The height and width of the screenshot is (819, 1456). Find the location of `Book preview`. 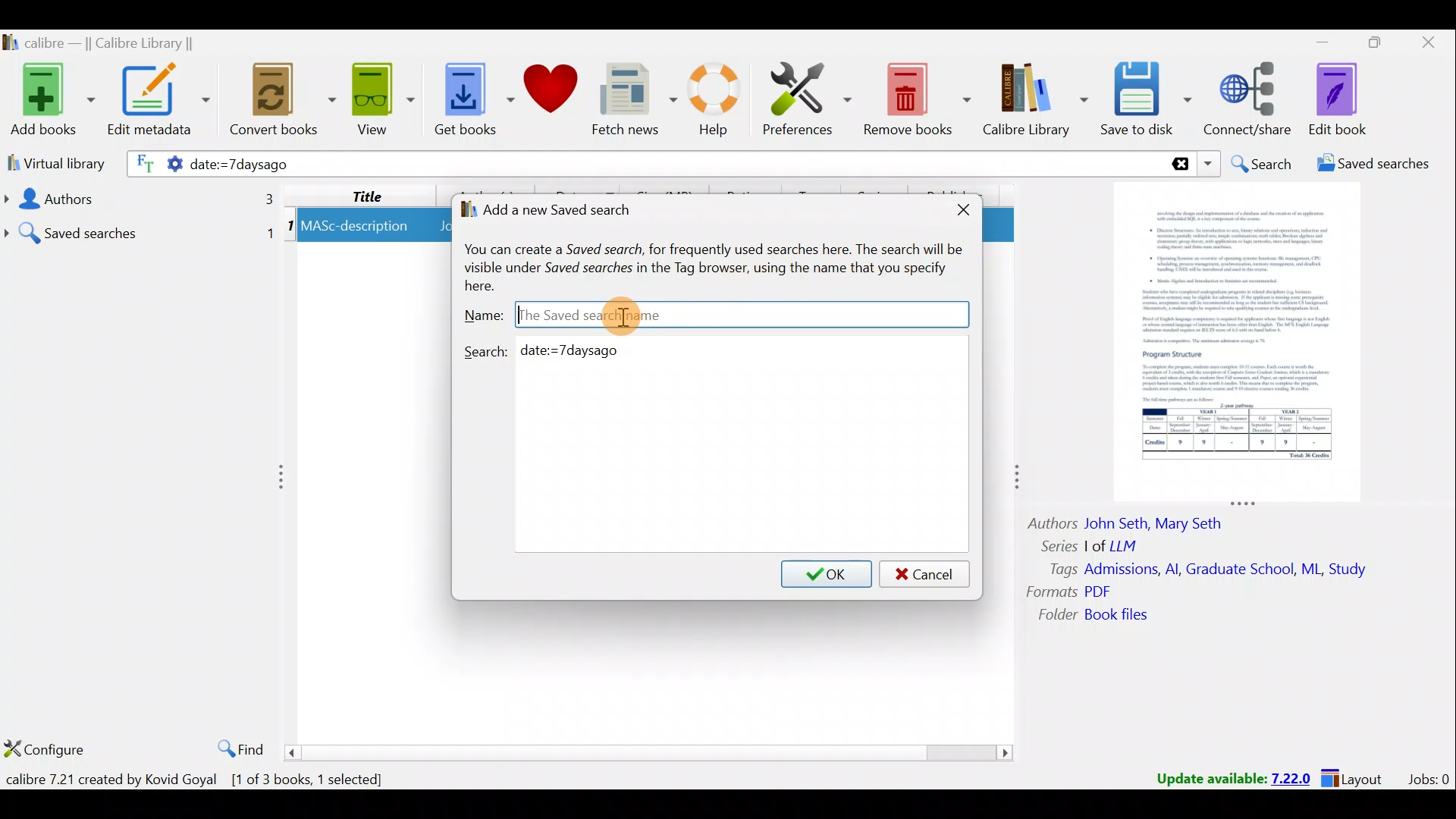

Book preview is located at coordinates (1244, 337).